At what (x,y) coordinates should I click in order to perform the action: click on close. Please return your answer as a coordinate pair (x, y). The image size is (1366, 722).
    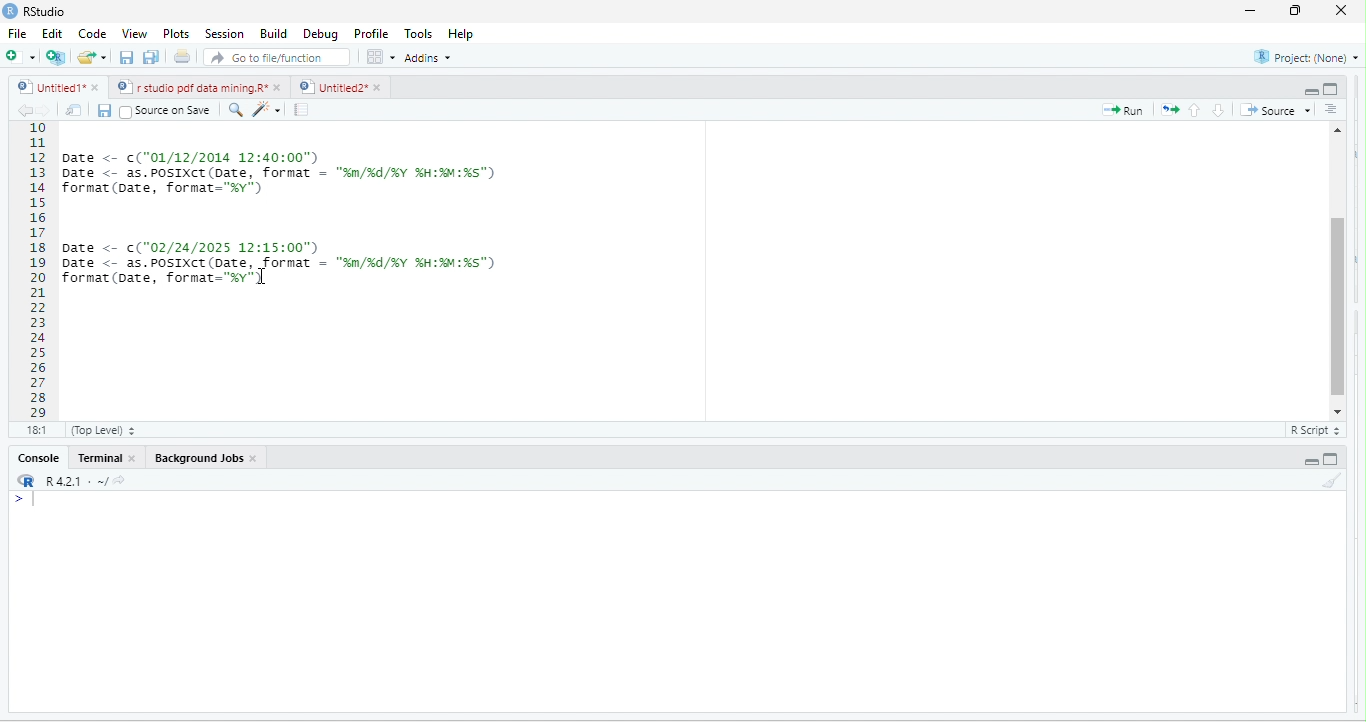
    Looking at the image, I should click on (1336, 10).